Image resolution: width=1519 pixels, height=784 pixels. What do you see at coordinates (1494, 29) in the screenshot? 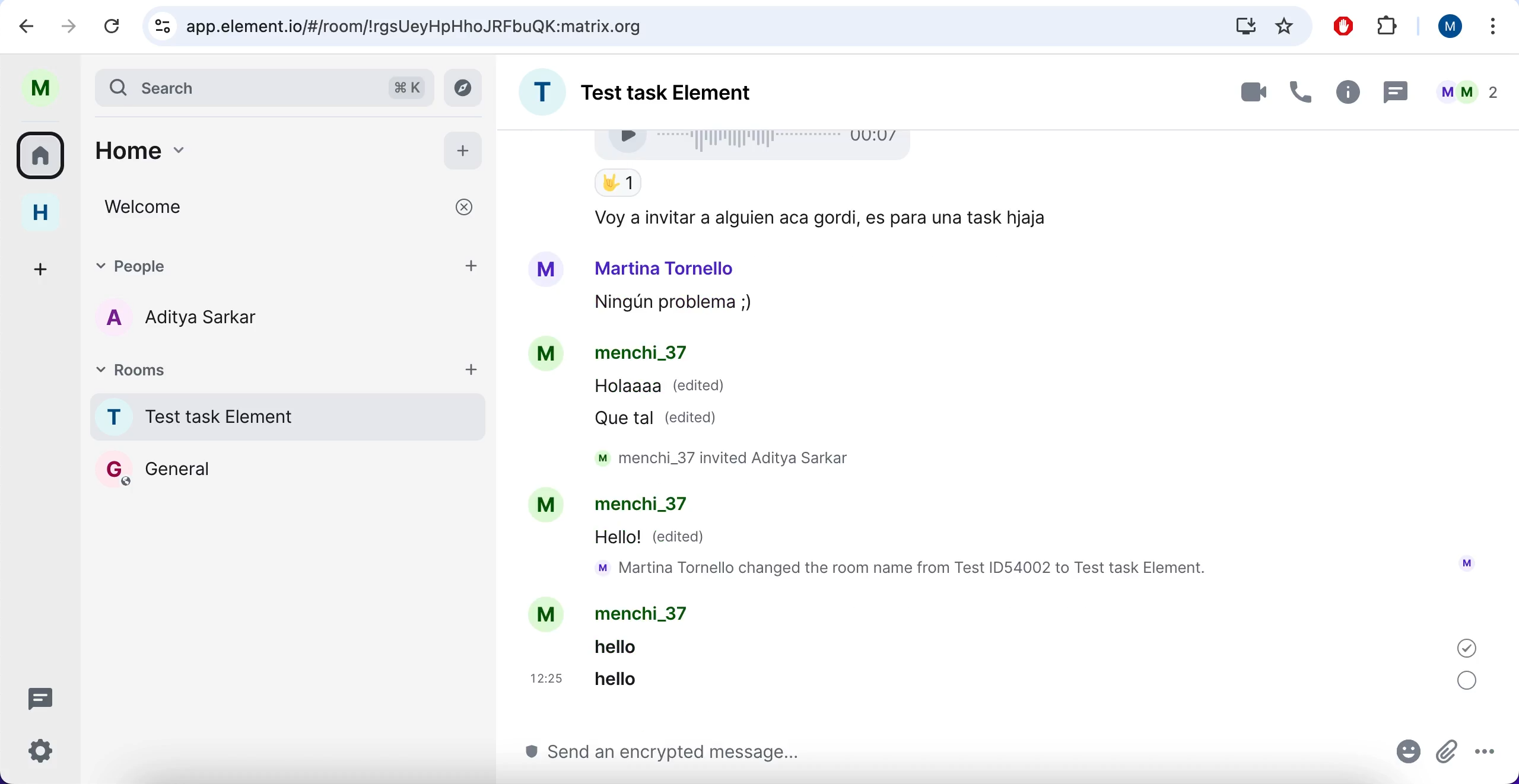
I see `more options` at bounding box center [1494, 29].